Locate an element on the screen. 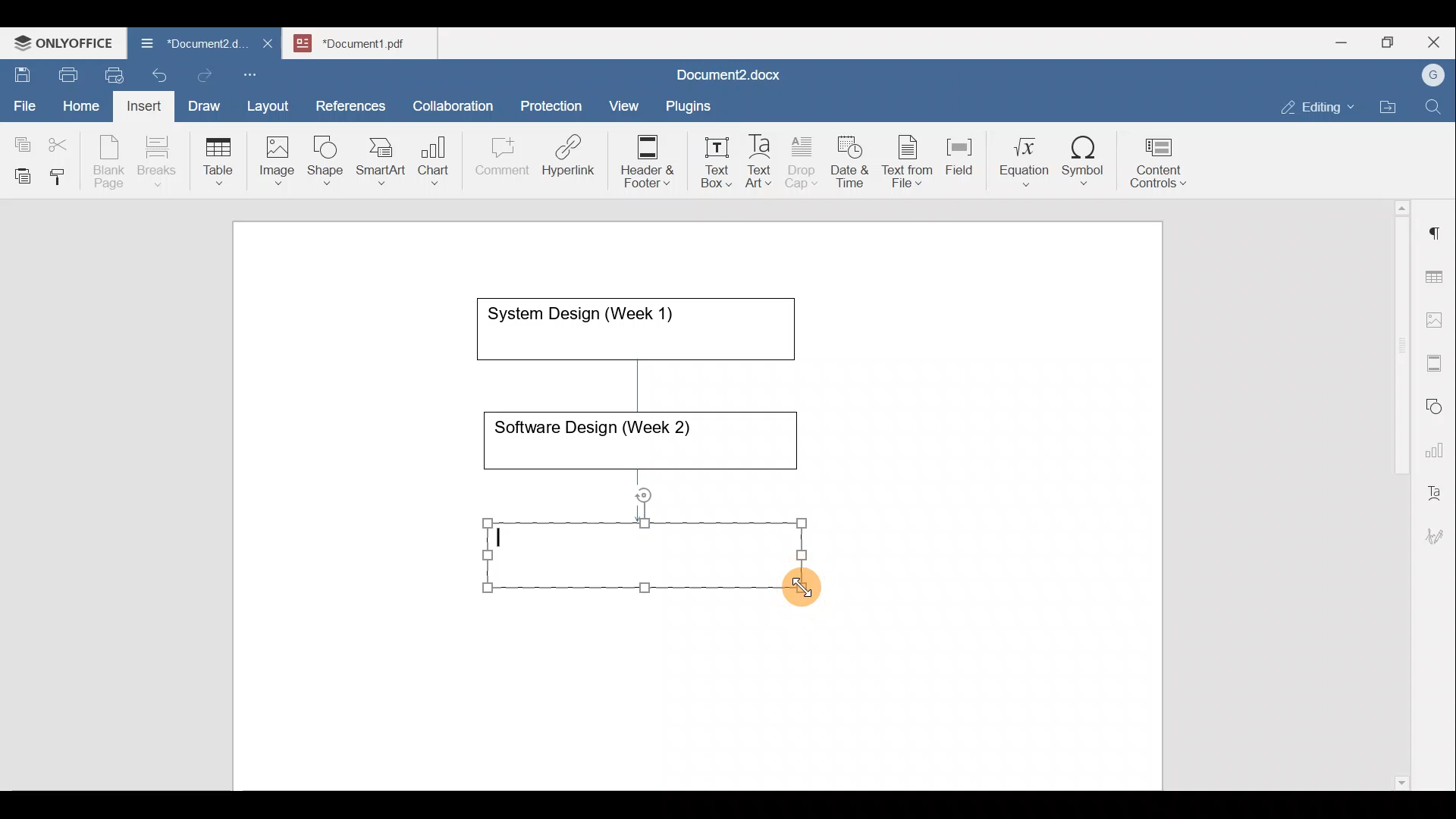 This screenshot has width=1456, height=819. Print file is located at coordinates (65, 72).